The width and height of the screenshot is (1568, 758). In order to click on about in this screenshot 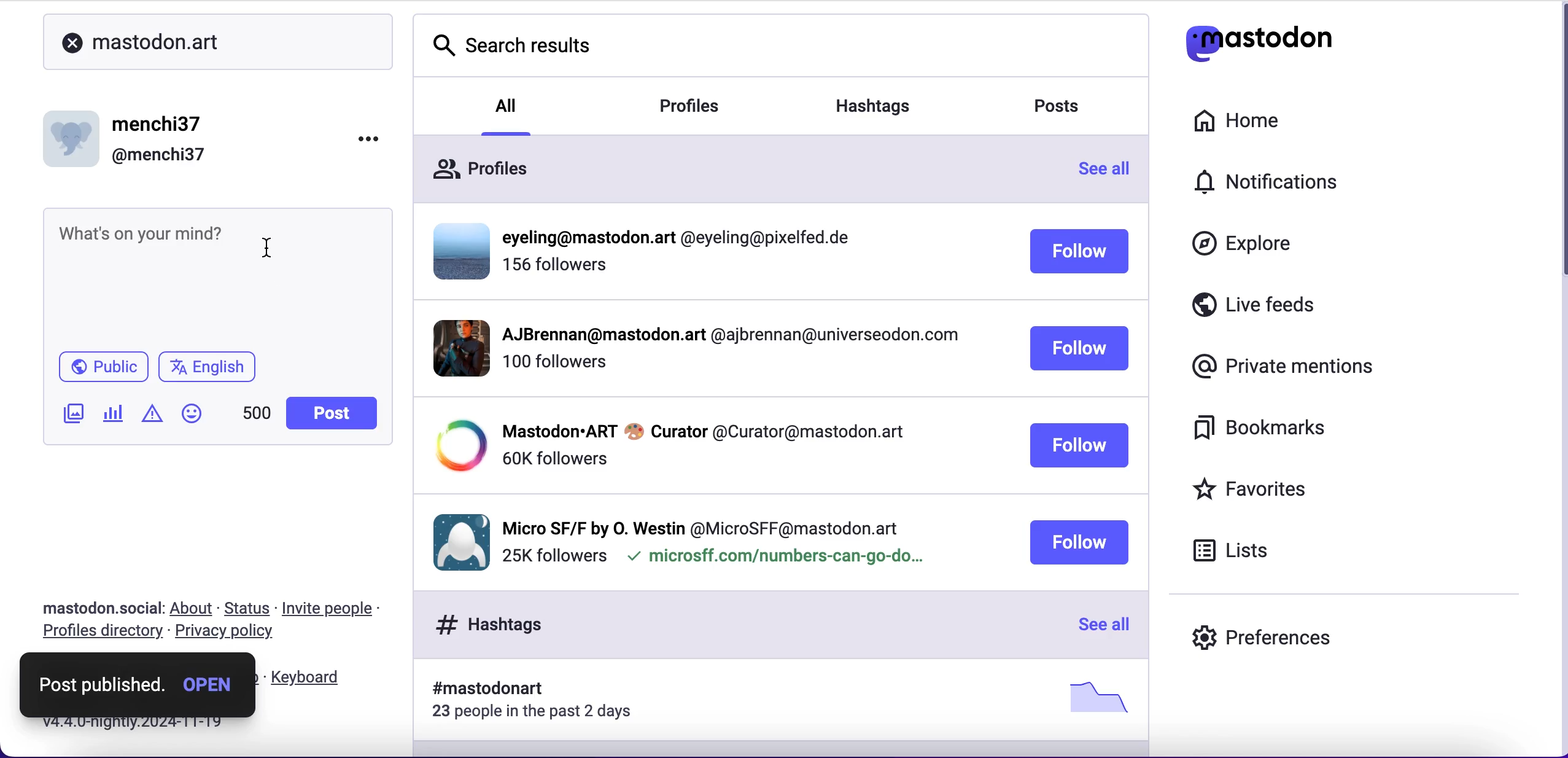, I will do `click(194, 609)`.